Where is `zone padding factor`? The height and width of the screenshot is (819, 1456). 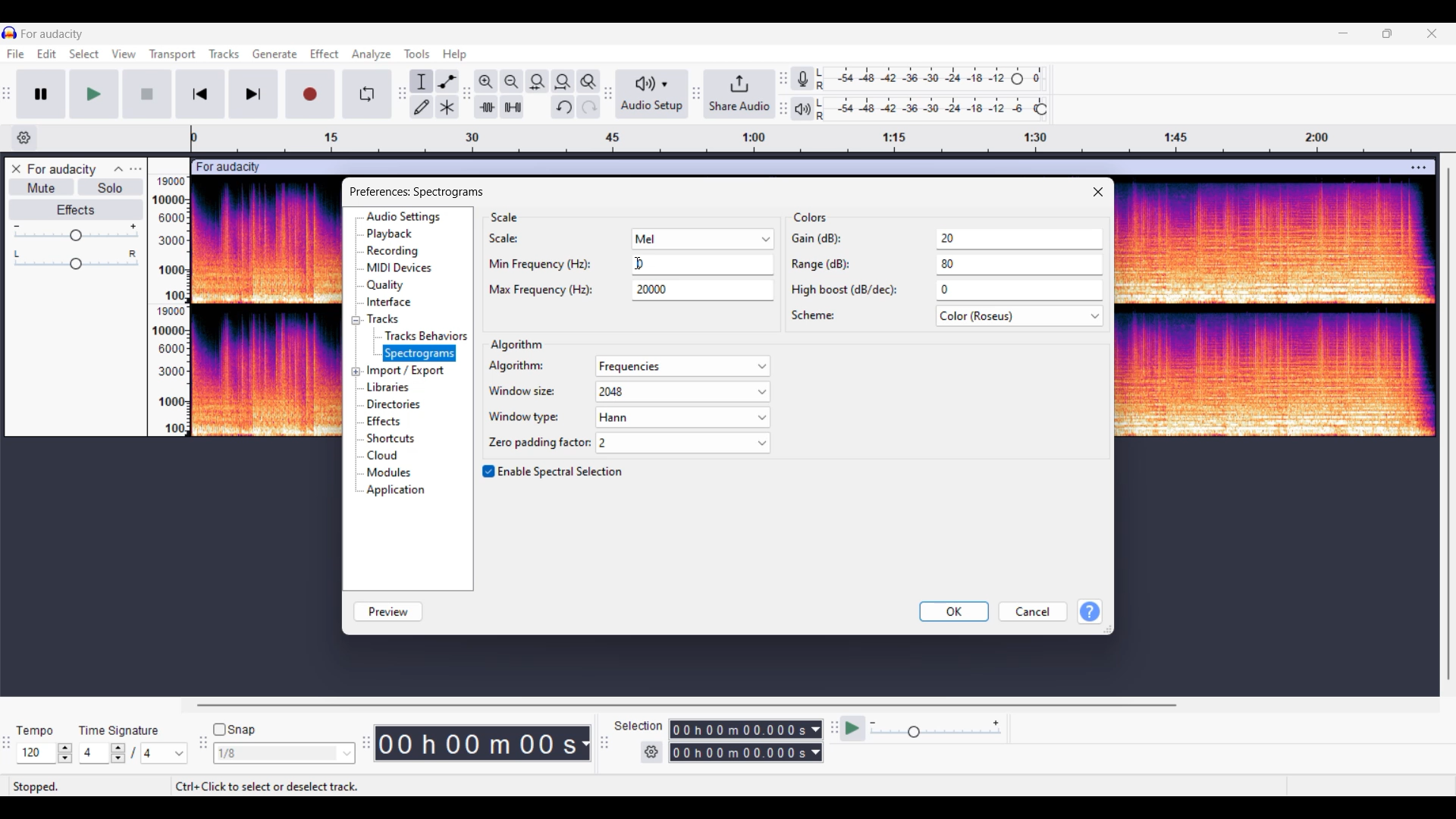 zone padding factor is located at coordinates (625, 443).